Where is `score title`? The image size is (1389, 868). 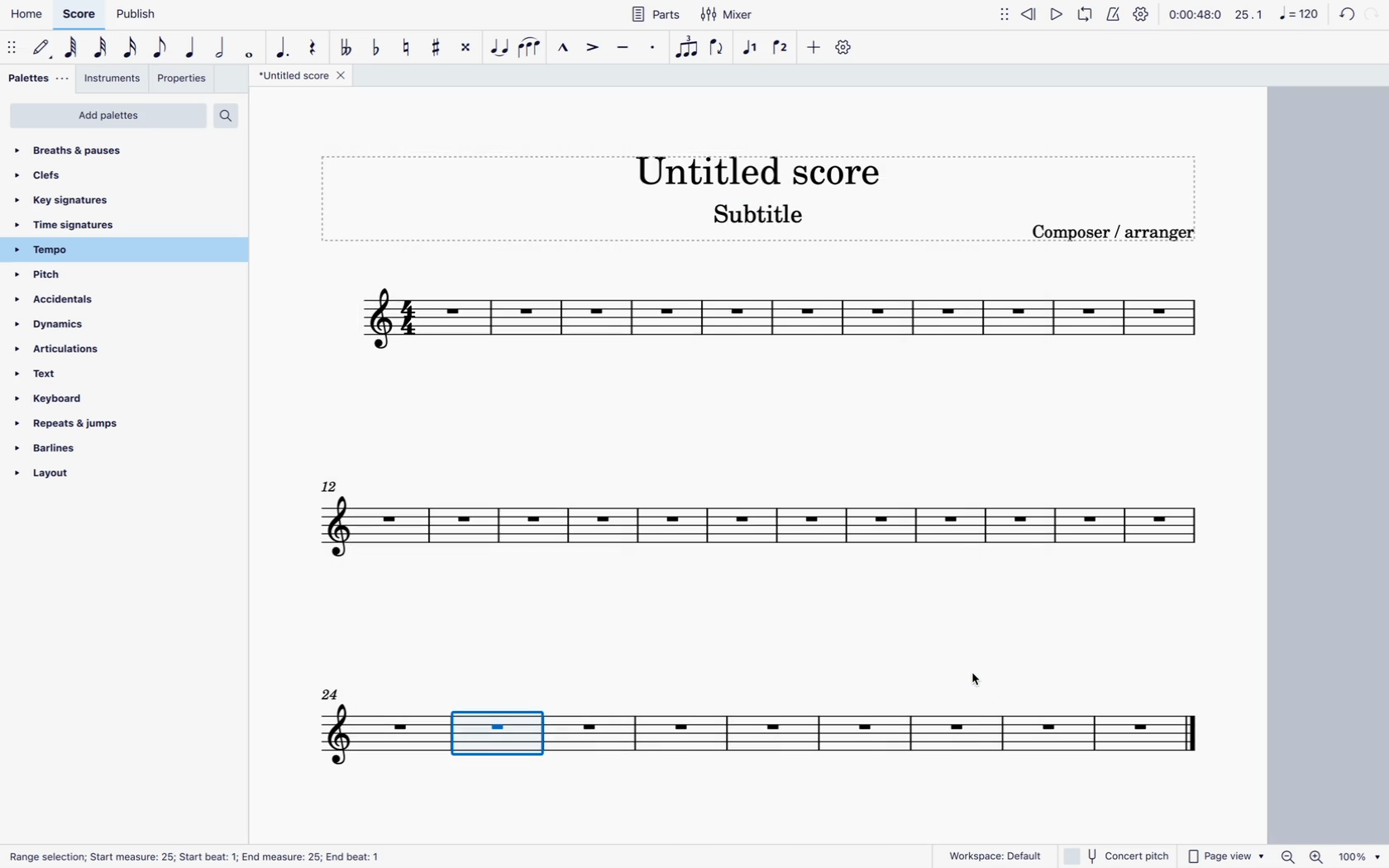
score title is located at coordinates (304, 77).